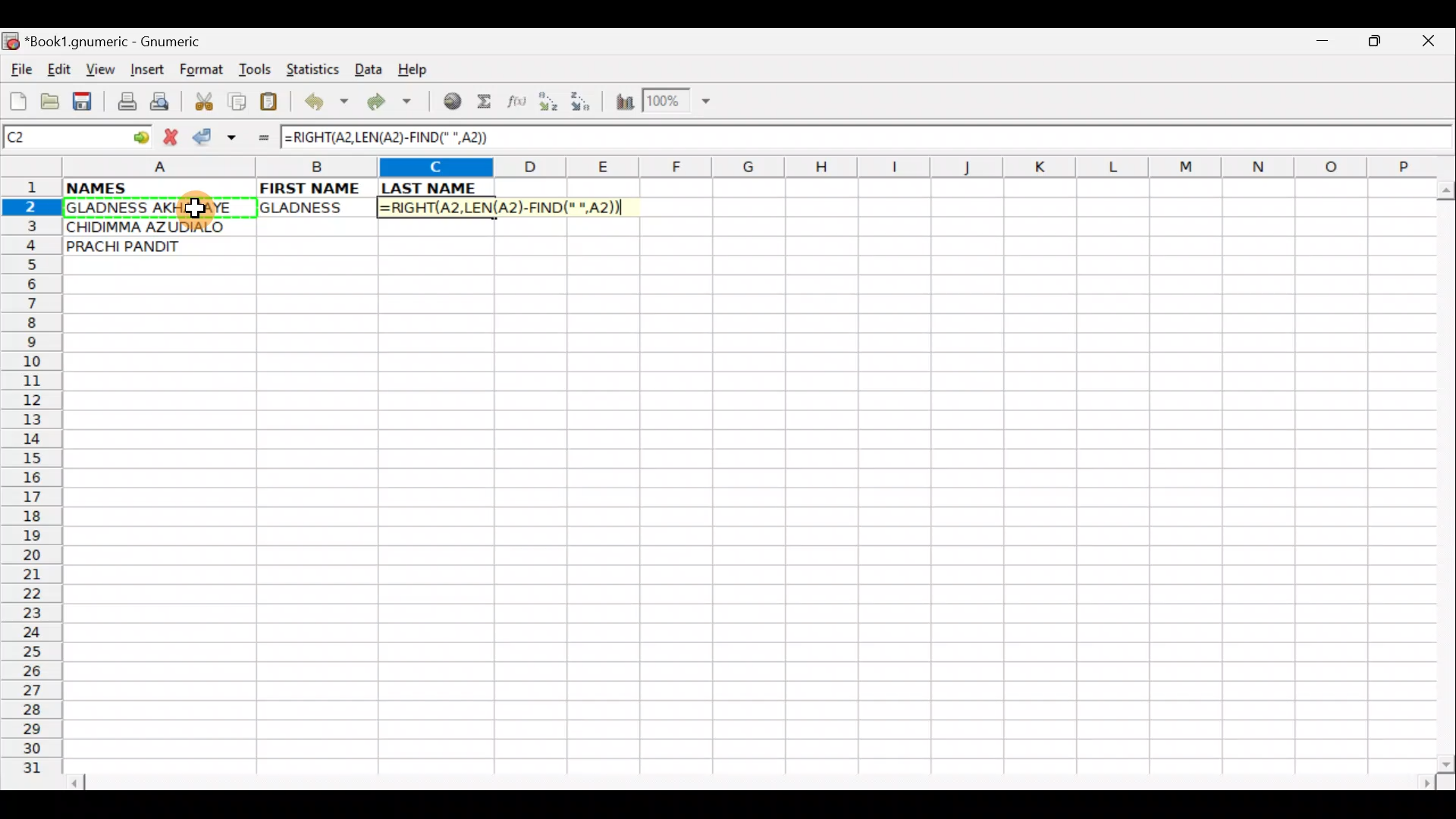 The height and width of the screenshot is (819, 1456). Describe the element at coordinates (192, 208) in the screenshot. I see `Cursor on cell A2` at that location.